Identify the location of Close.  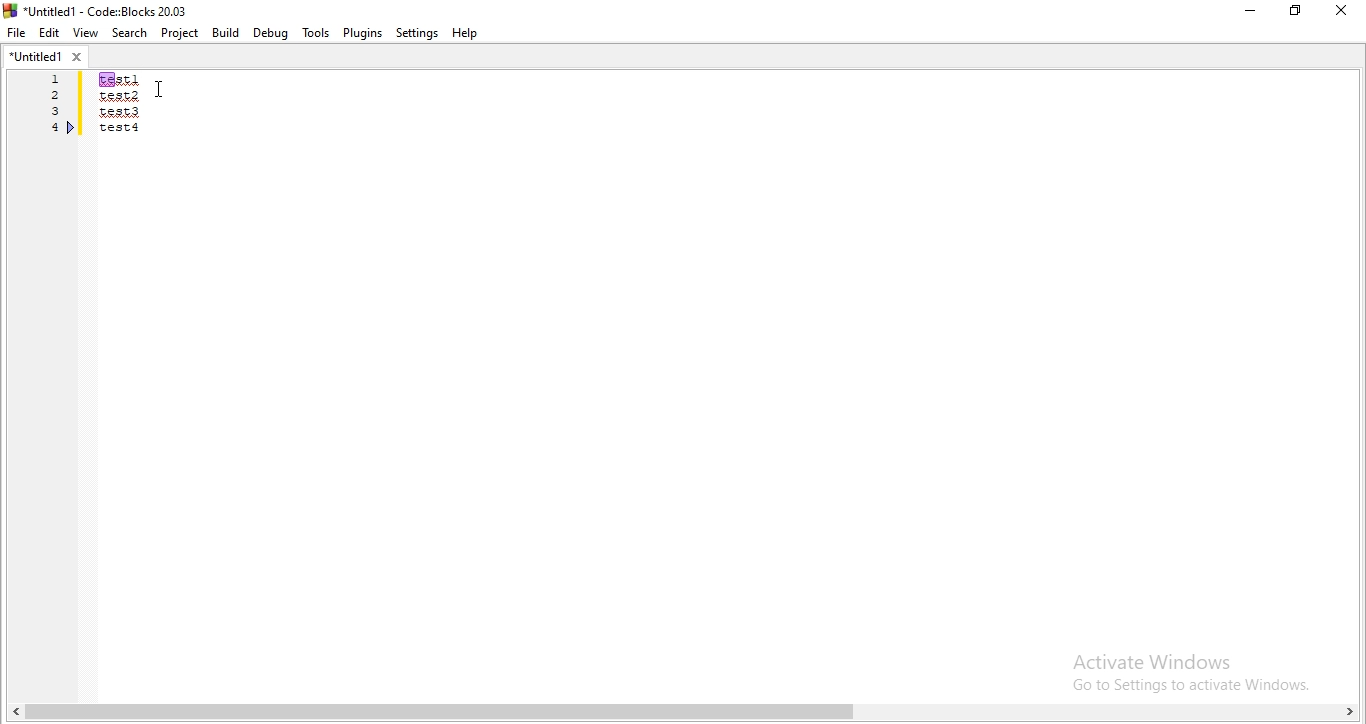
(1342, 10).